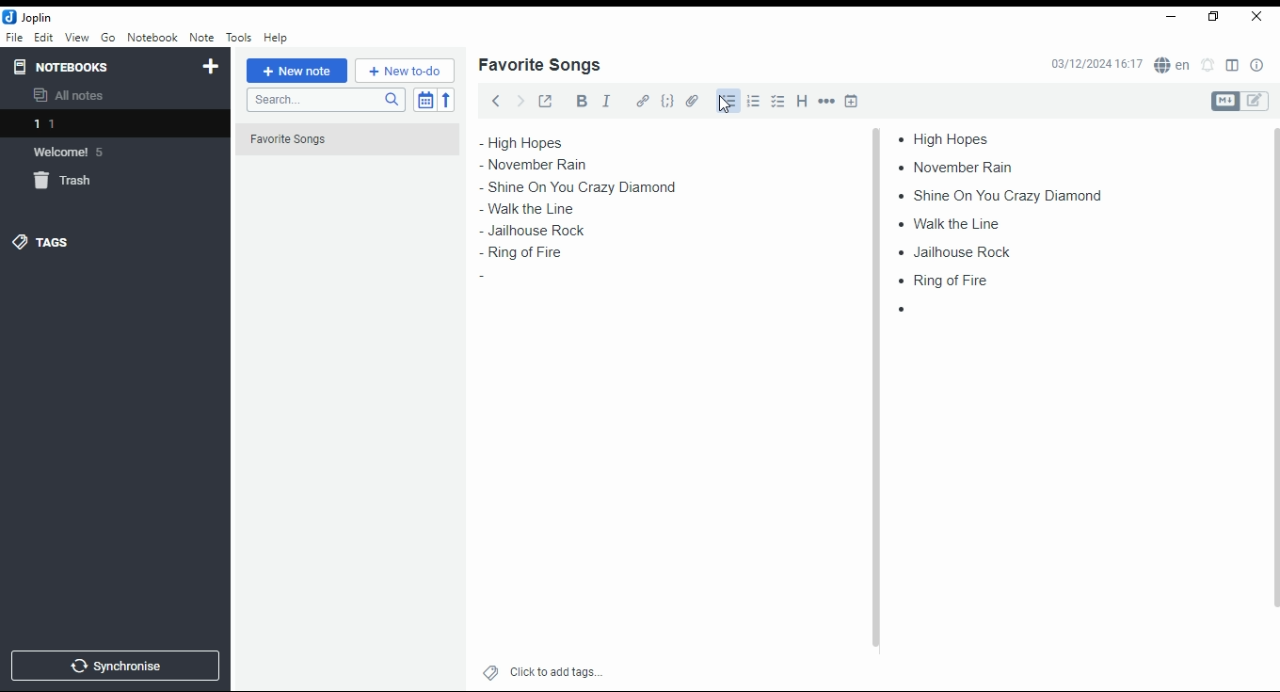 The width and height of the screenshot is (1280, 692). Describe the element at coordinates (643, 100) in the screenshot. I see `hyperlink` at that location.